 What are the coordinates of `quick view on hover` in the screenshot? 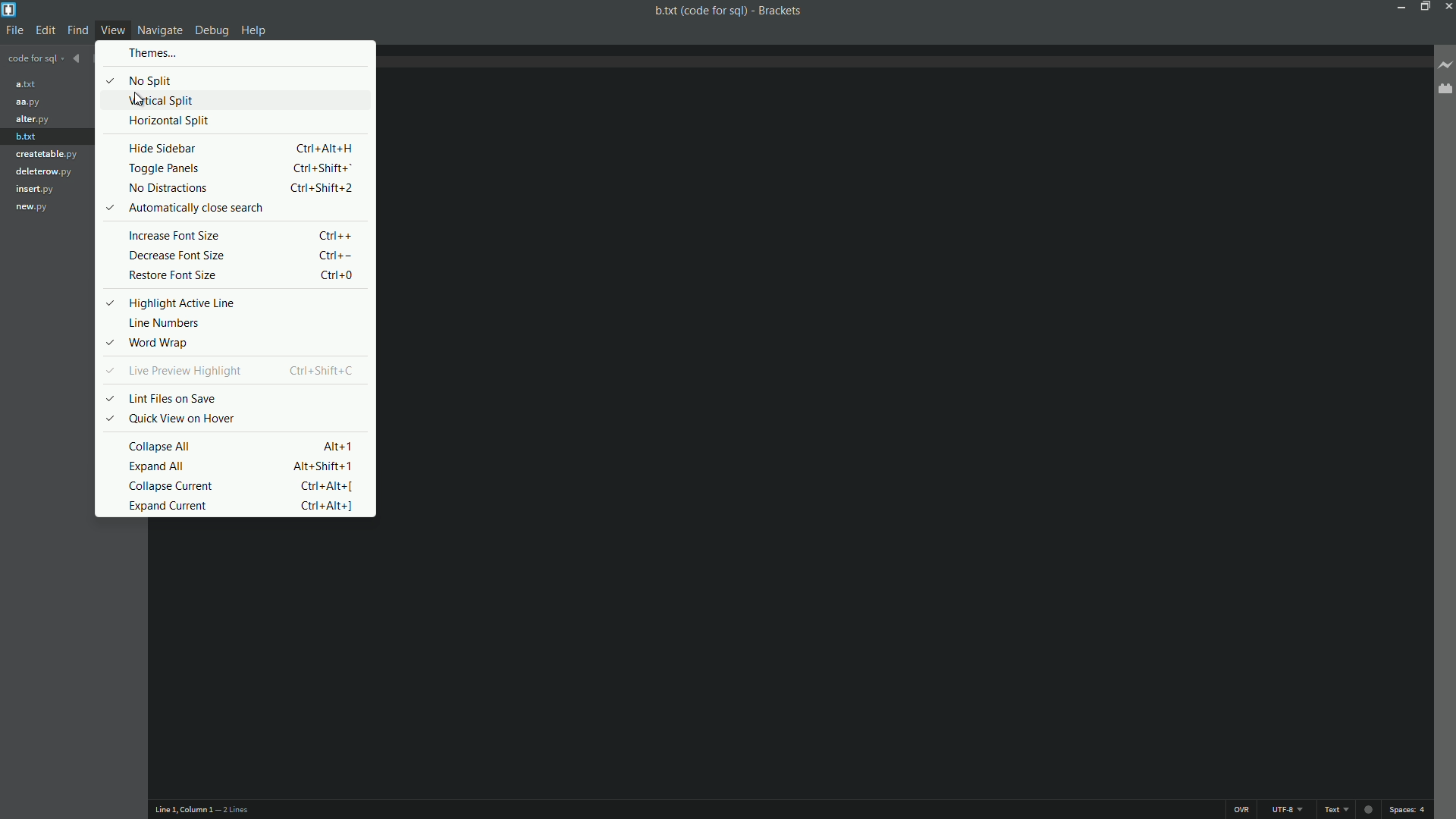 It's located at (245, 419).